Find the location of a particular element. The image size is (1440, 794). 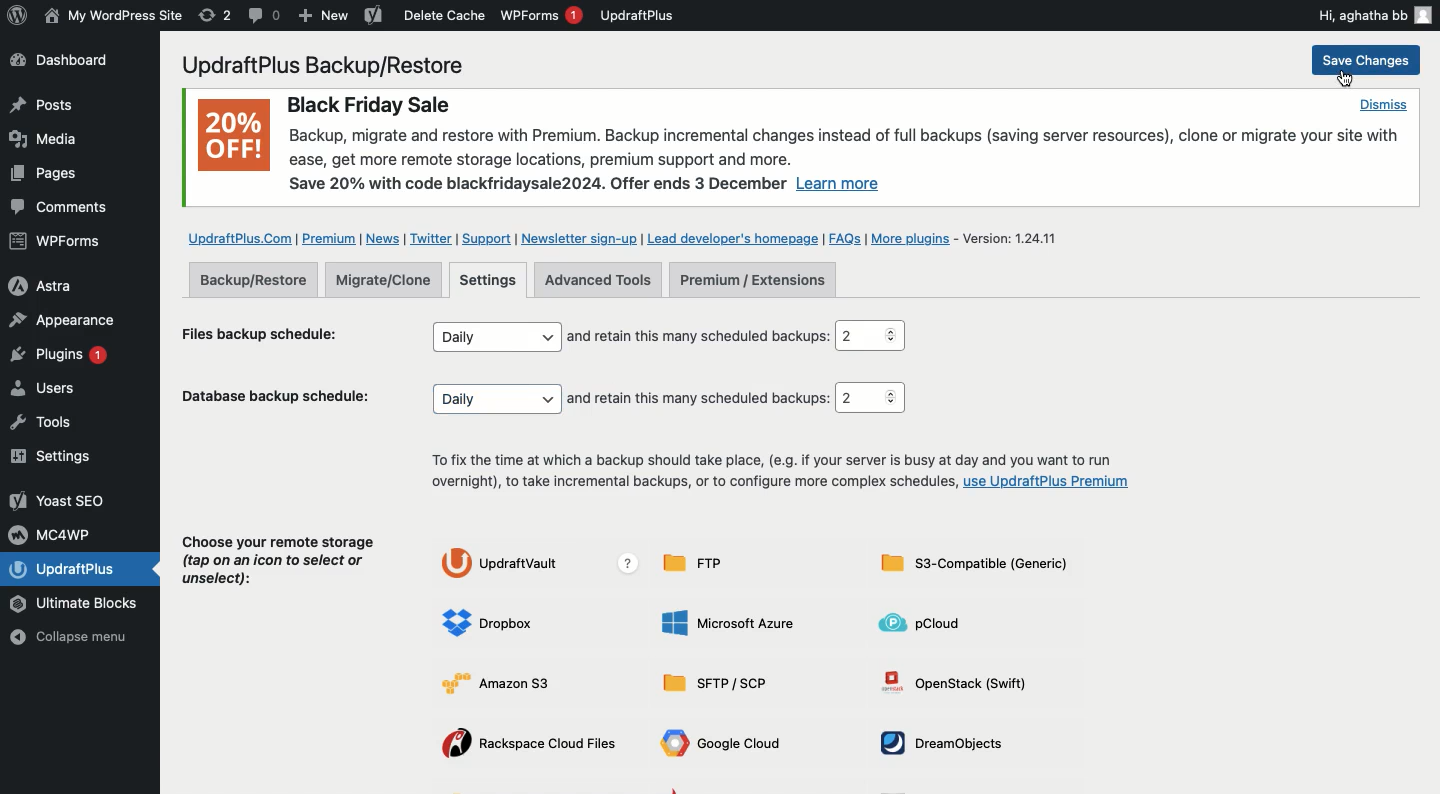

2 is located at coordinates (869, 398).